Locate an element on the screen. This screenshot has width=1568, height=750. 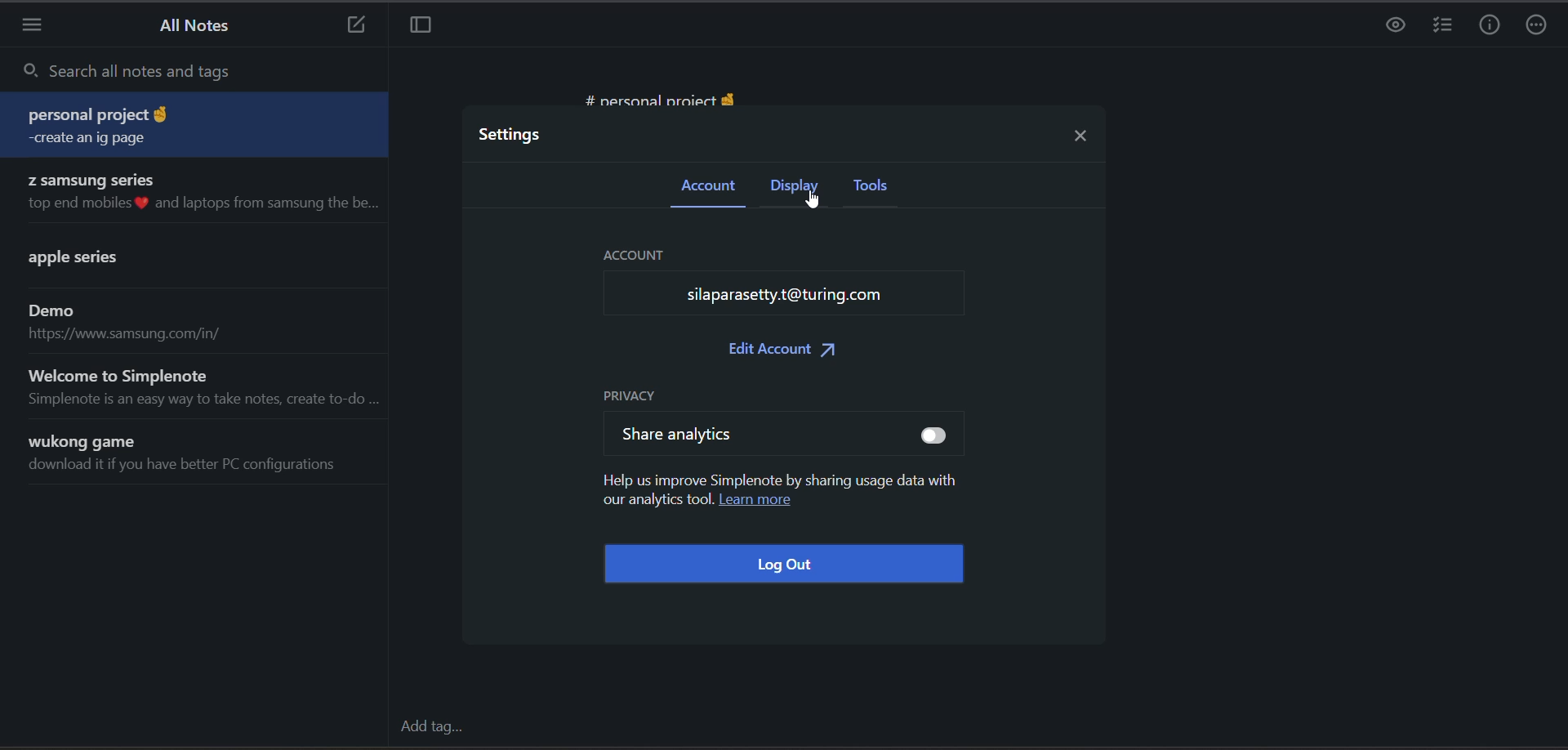
menu is located at coordinates (35, 29).